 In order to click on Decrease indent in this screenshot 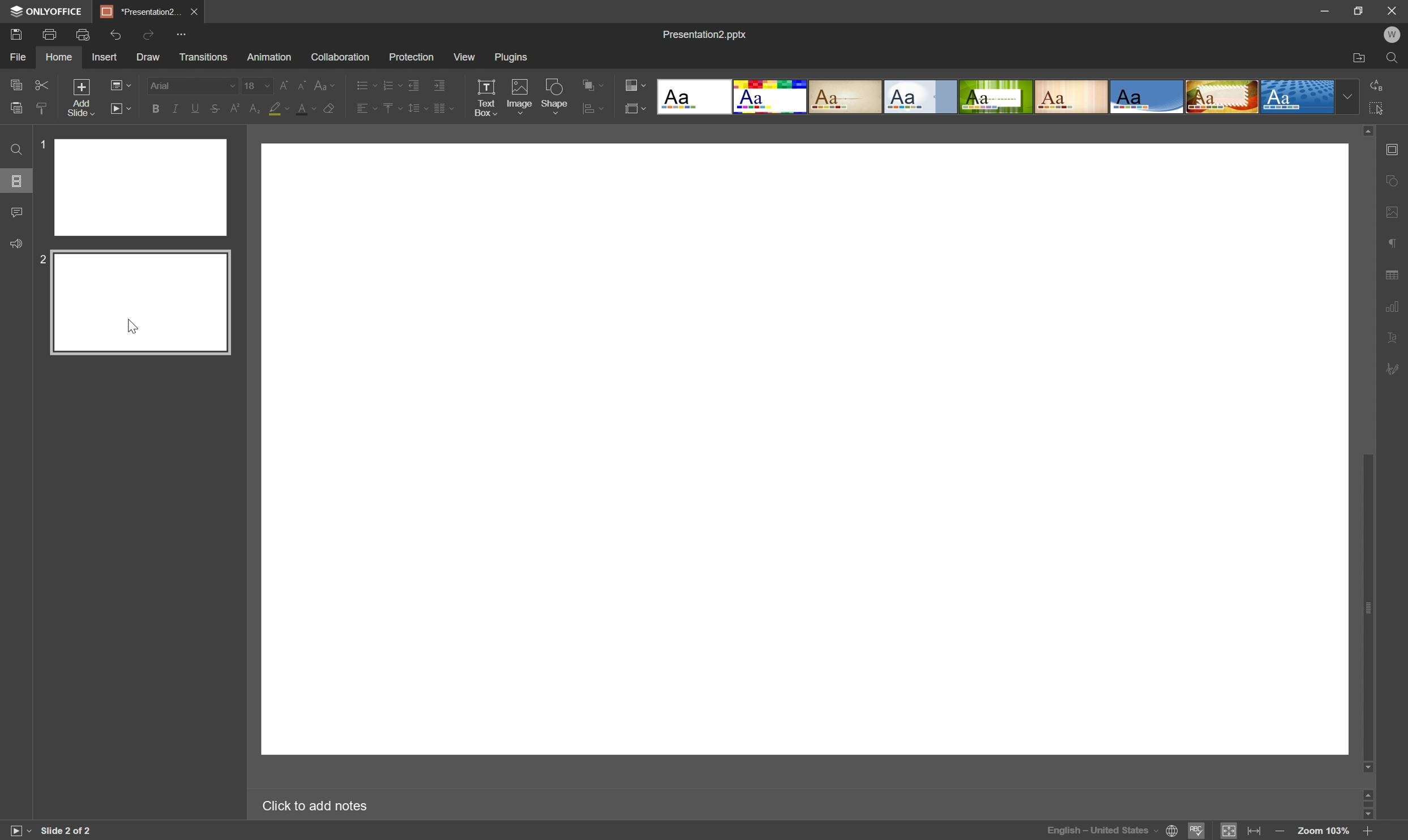, I will do `click(414, 82)`.